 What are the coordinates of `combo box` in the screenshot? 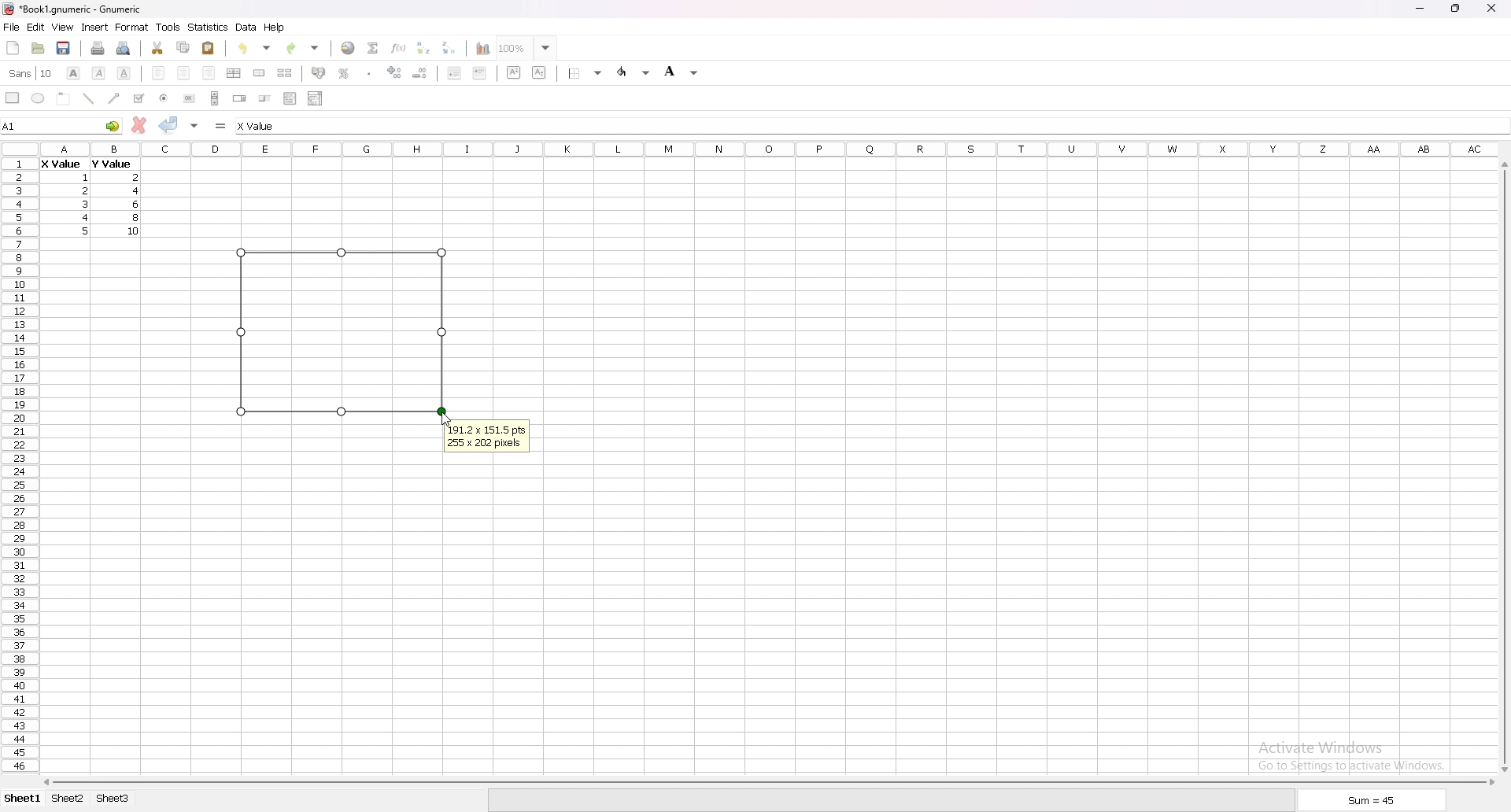 It's located at (315, 98).